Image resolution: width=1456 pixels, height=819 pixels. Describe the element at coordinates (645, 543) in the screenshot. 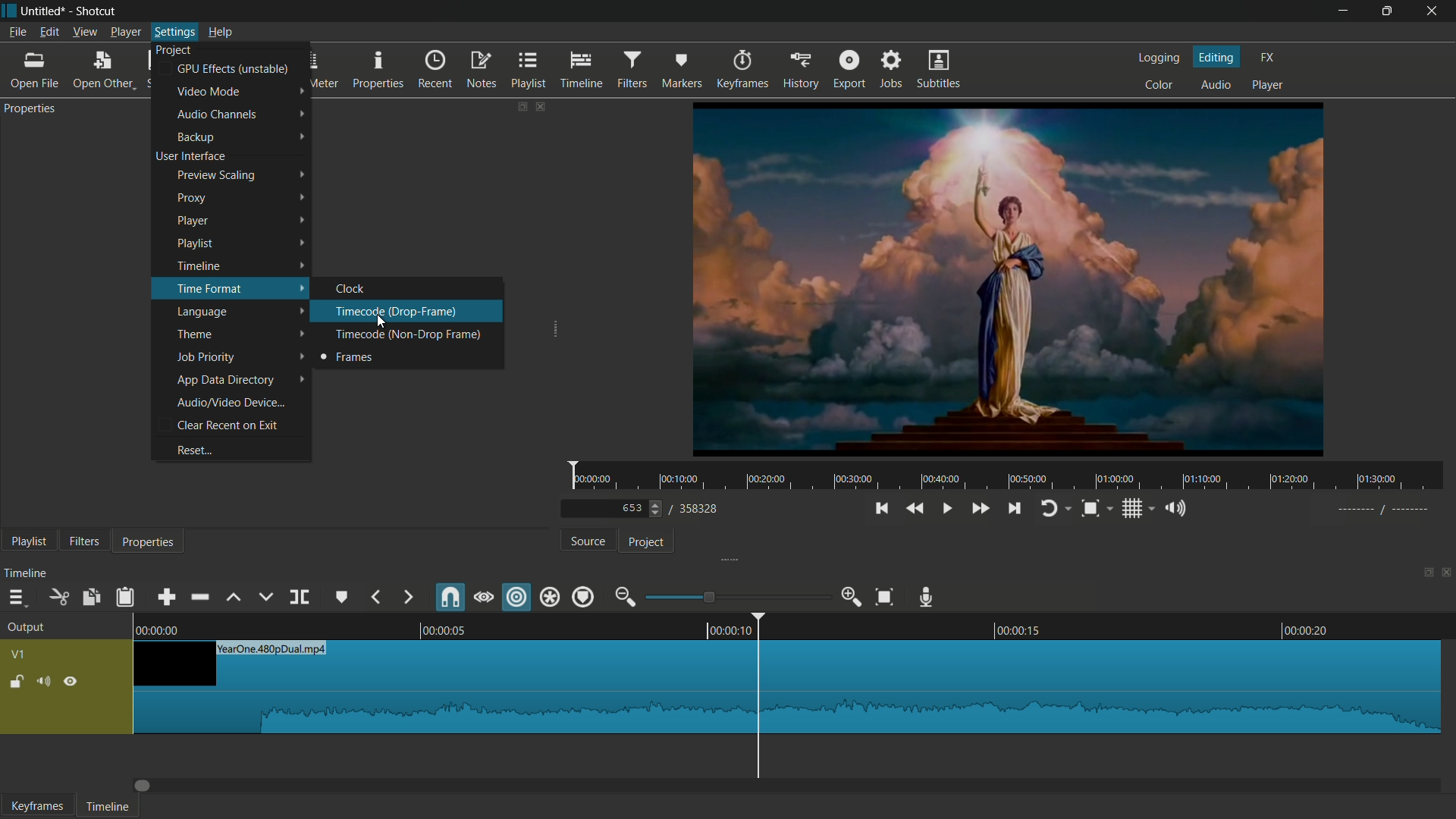

I see `` at that location.